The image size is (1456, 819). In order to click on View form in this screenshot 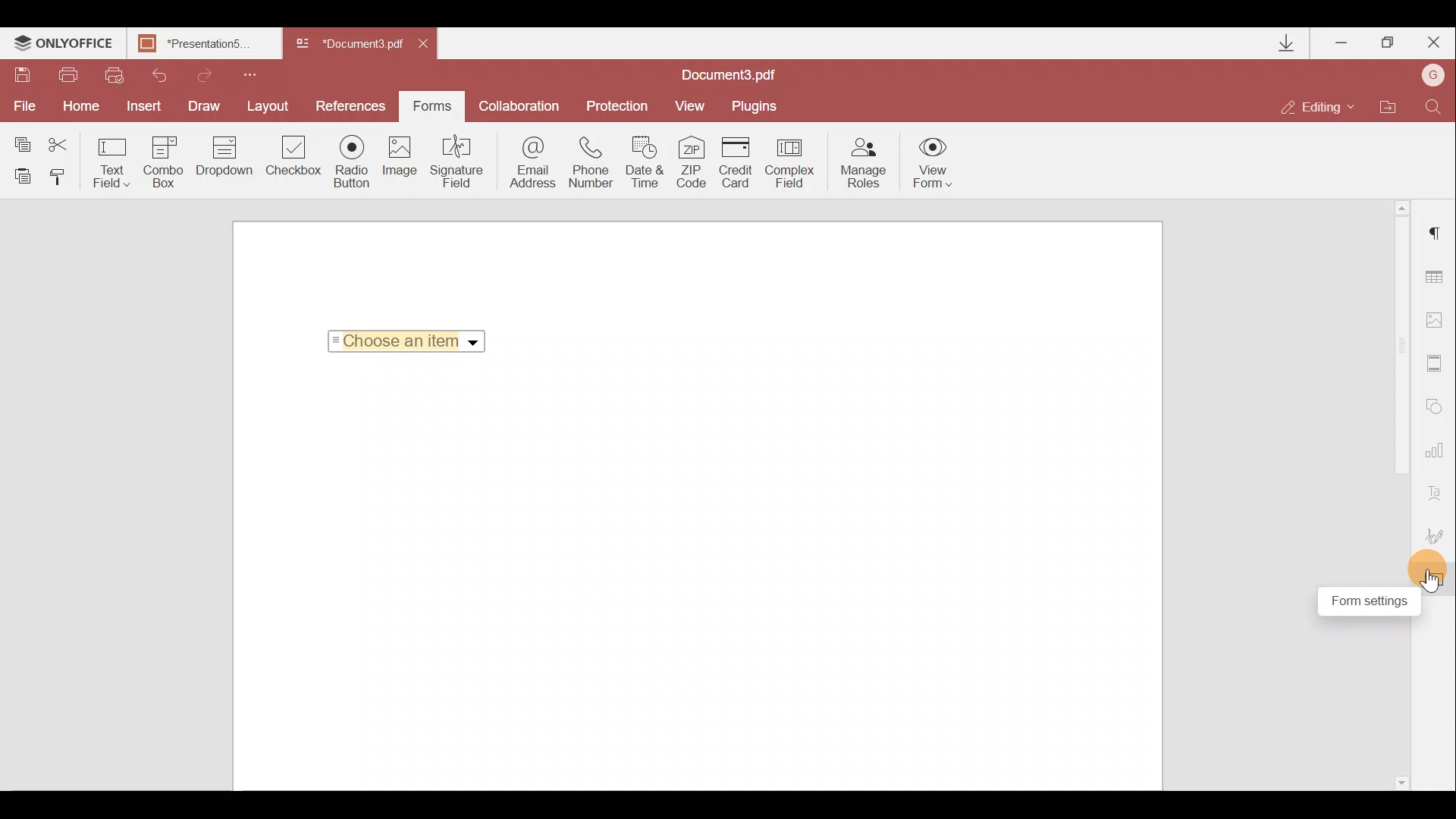, I will do `click(934, 162)`.